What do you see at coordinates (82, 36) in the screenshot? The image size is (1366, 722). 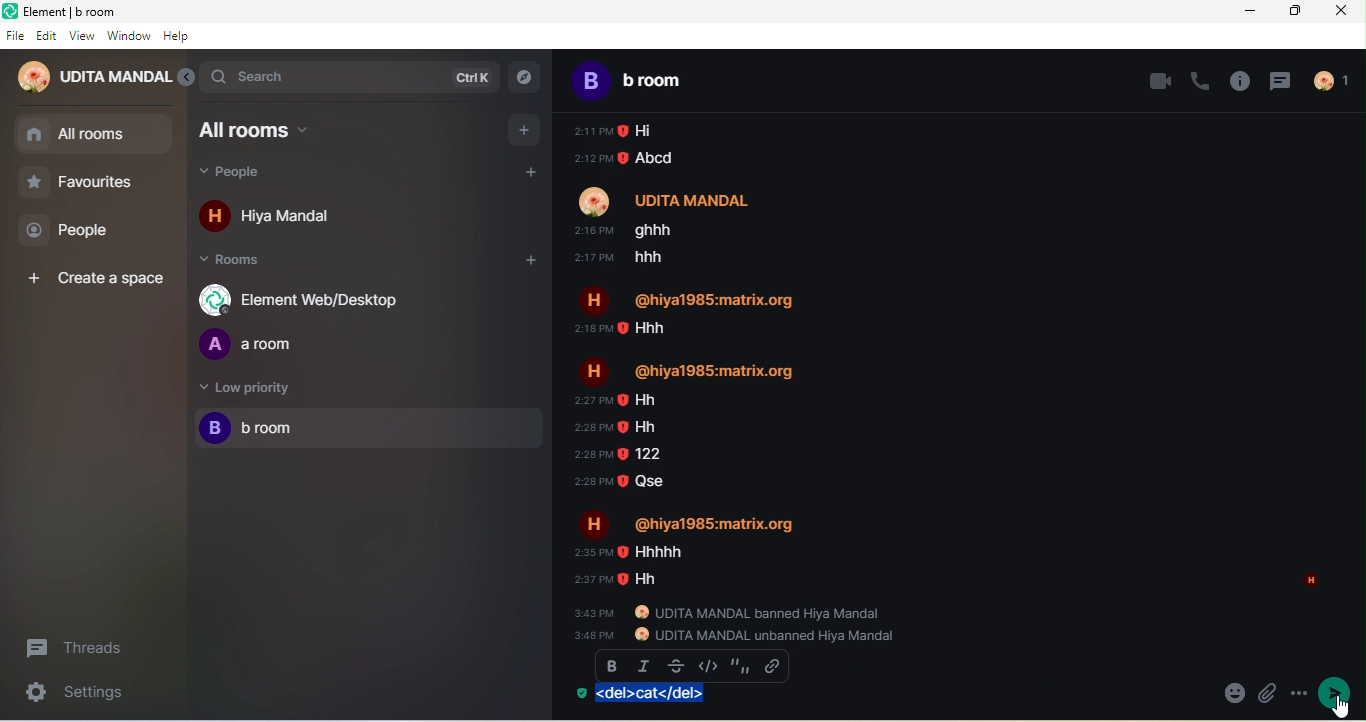 I see `view` at bounding box center [82, 36].